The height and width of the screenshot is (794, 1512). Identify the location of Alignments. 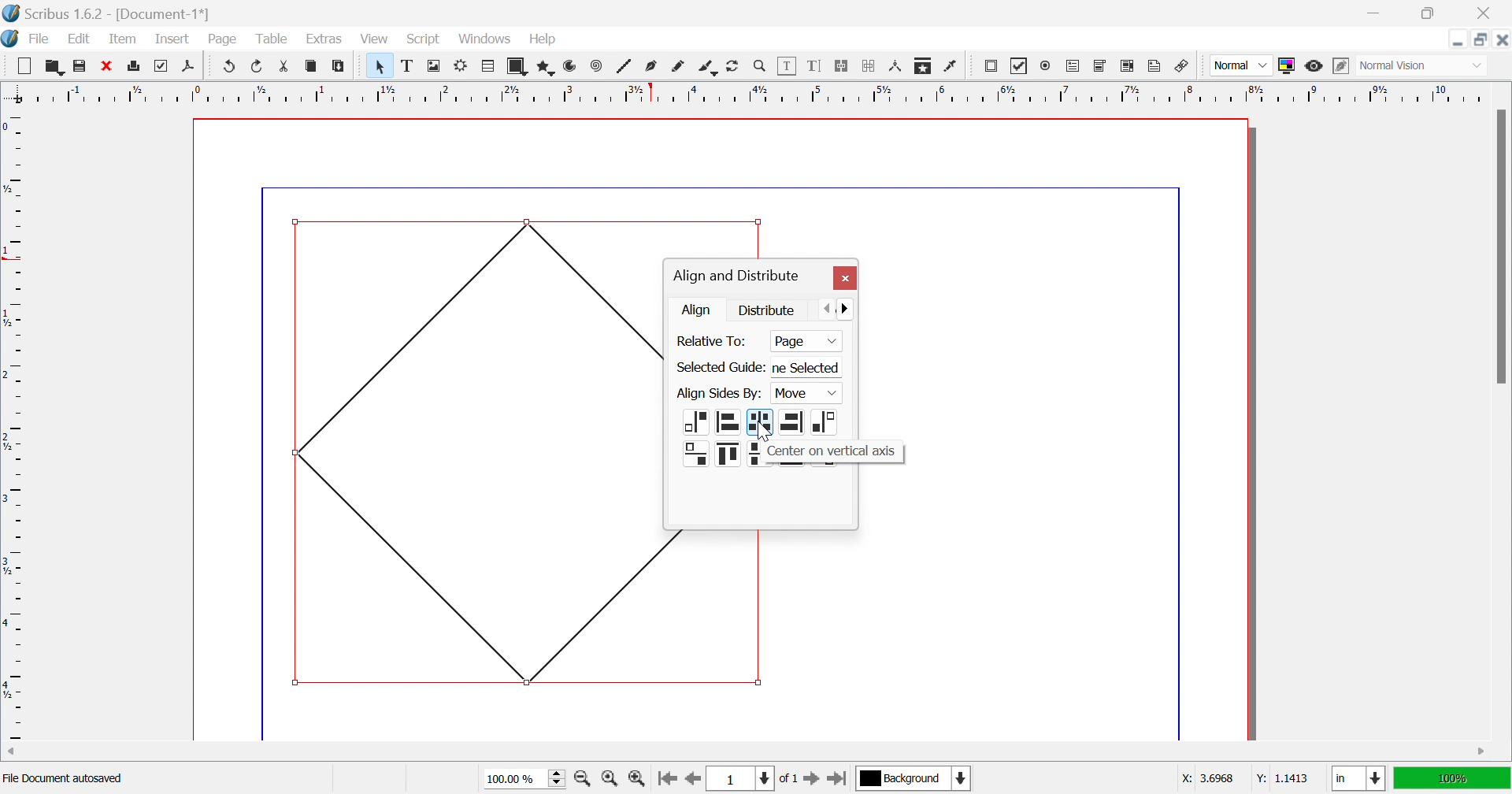
(723, 439).